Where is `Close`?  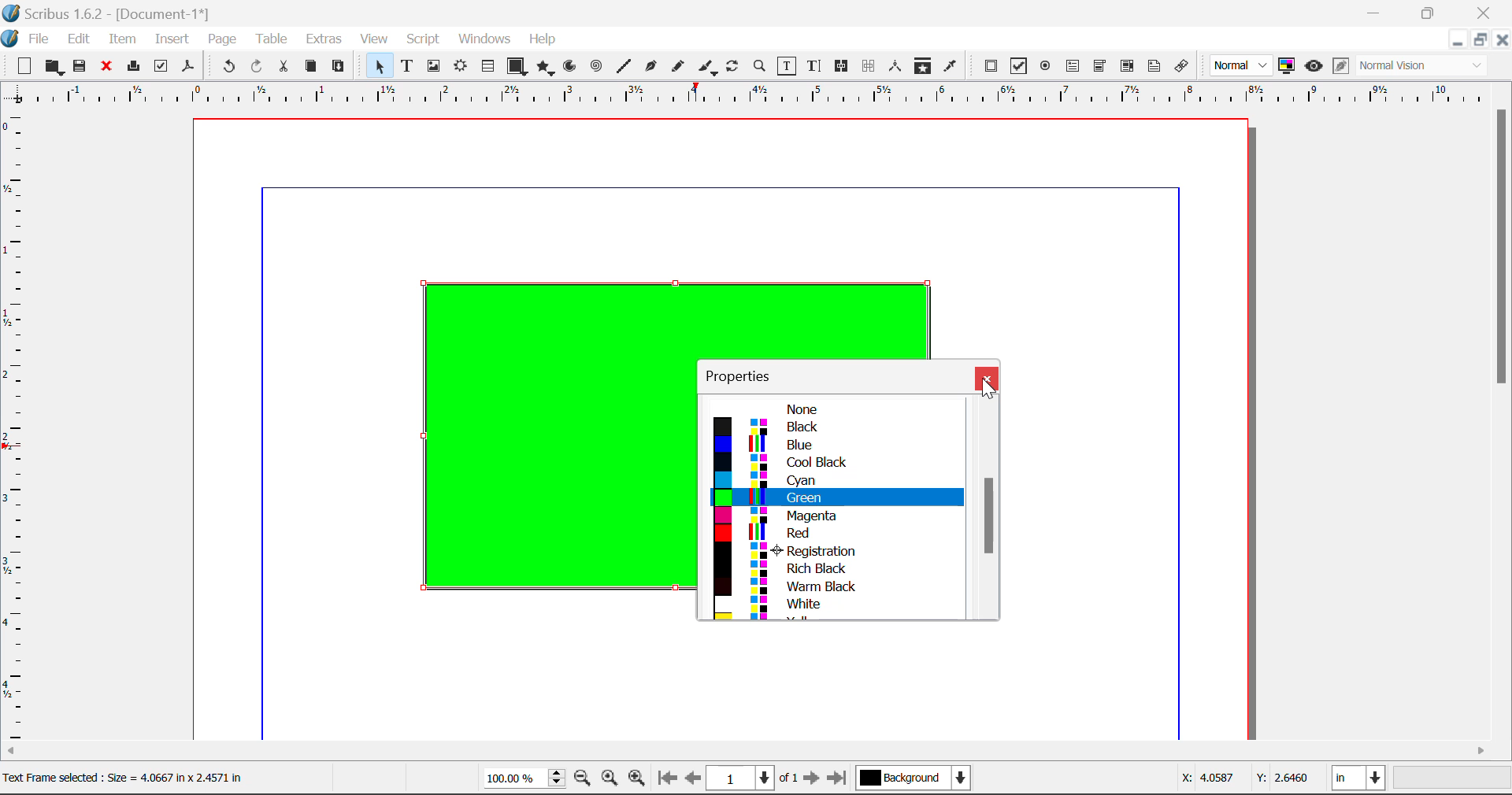 Close is located at coordinates (1485, 13).